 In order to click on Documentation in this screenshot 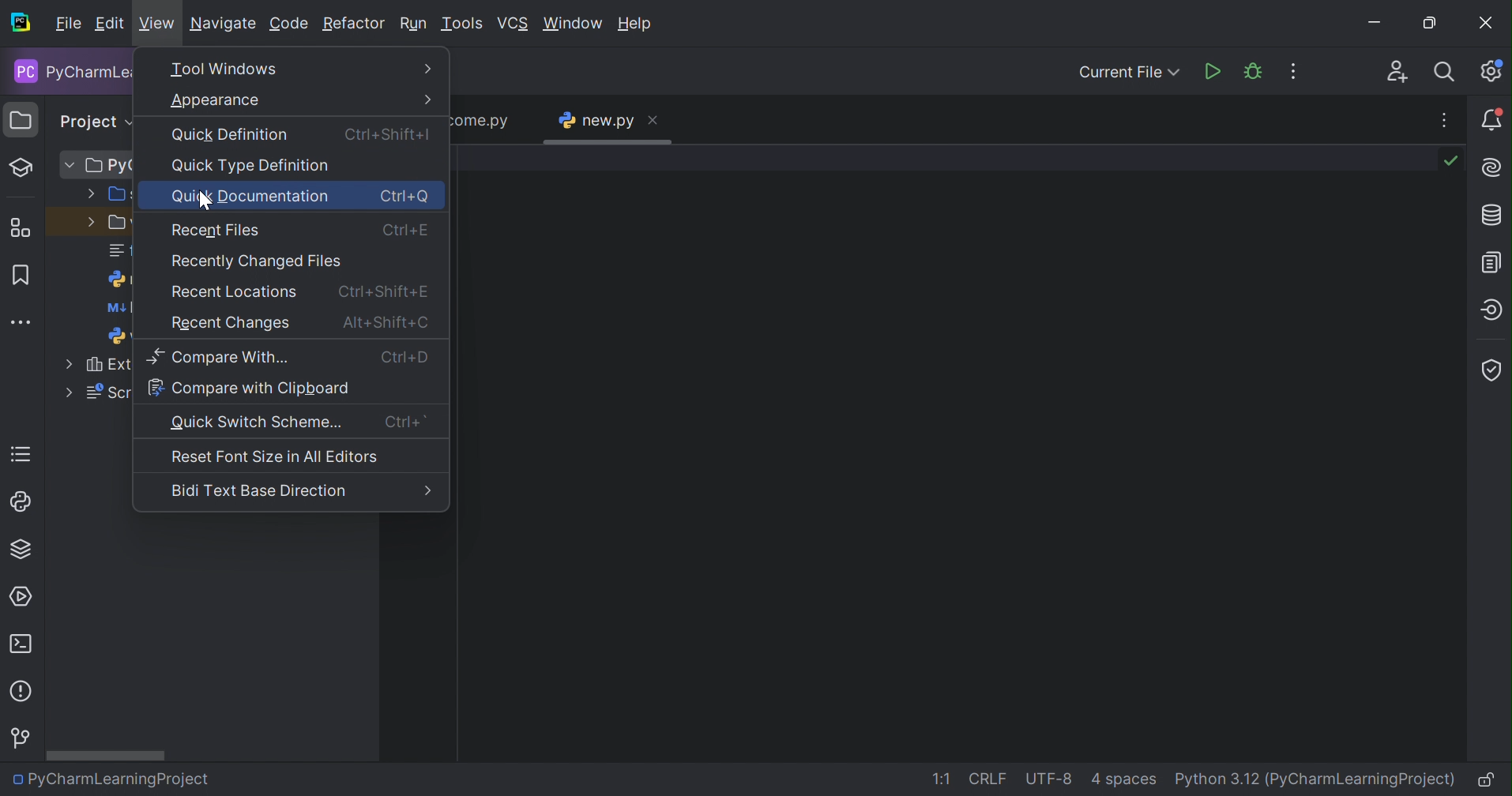, I will do `click(1494, 261)`.